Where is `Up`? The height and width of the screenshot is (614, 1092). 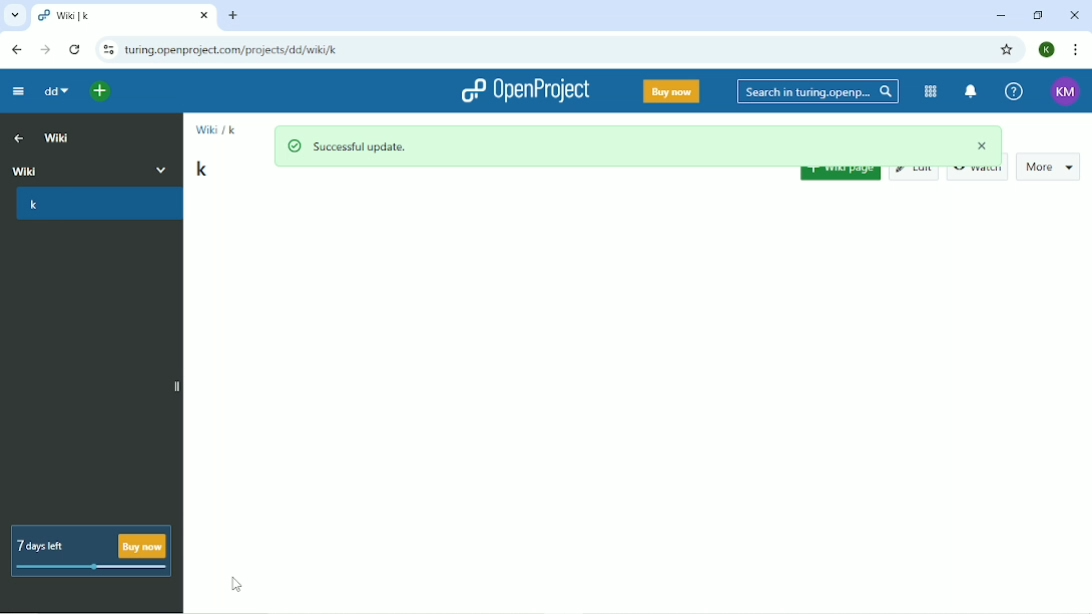 Up is located at coordinates (16, 137).